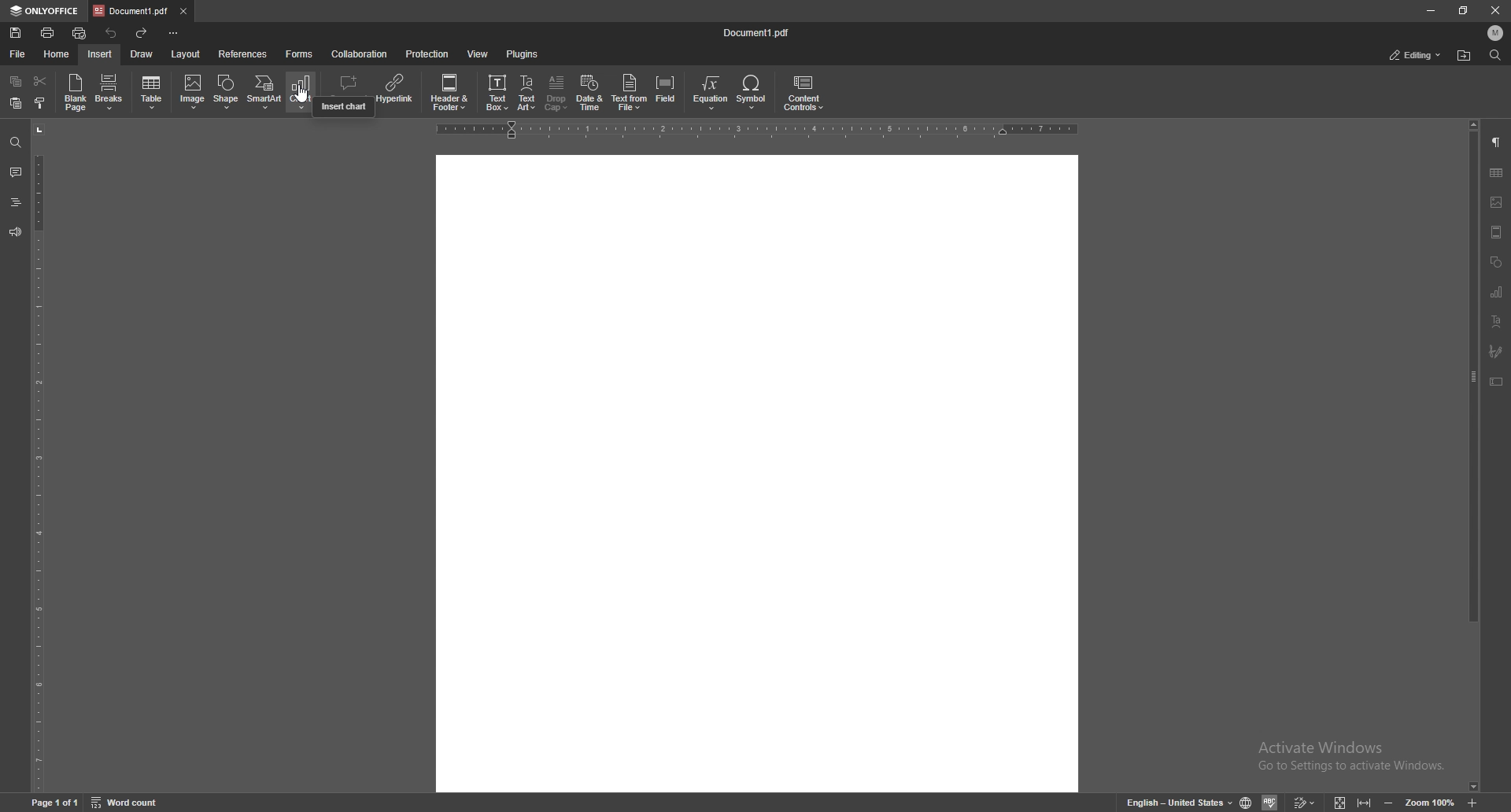 Image resolution: width=1511 pixels, height=812 pixels. I want to click on collaboration, so click(361, 54).